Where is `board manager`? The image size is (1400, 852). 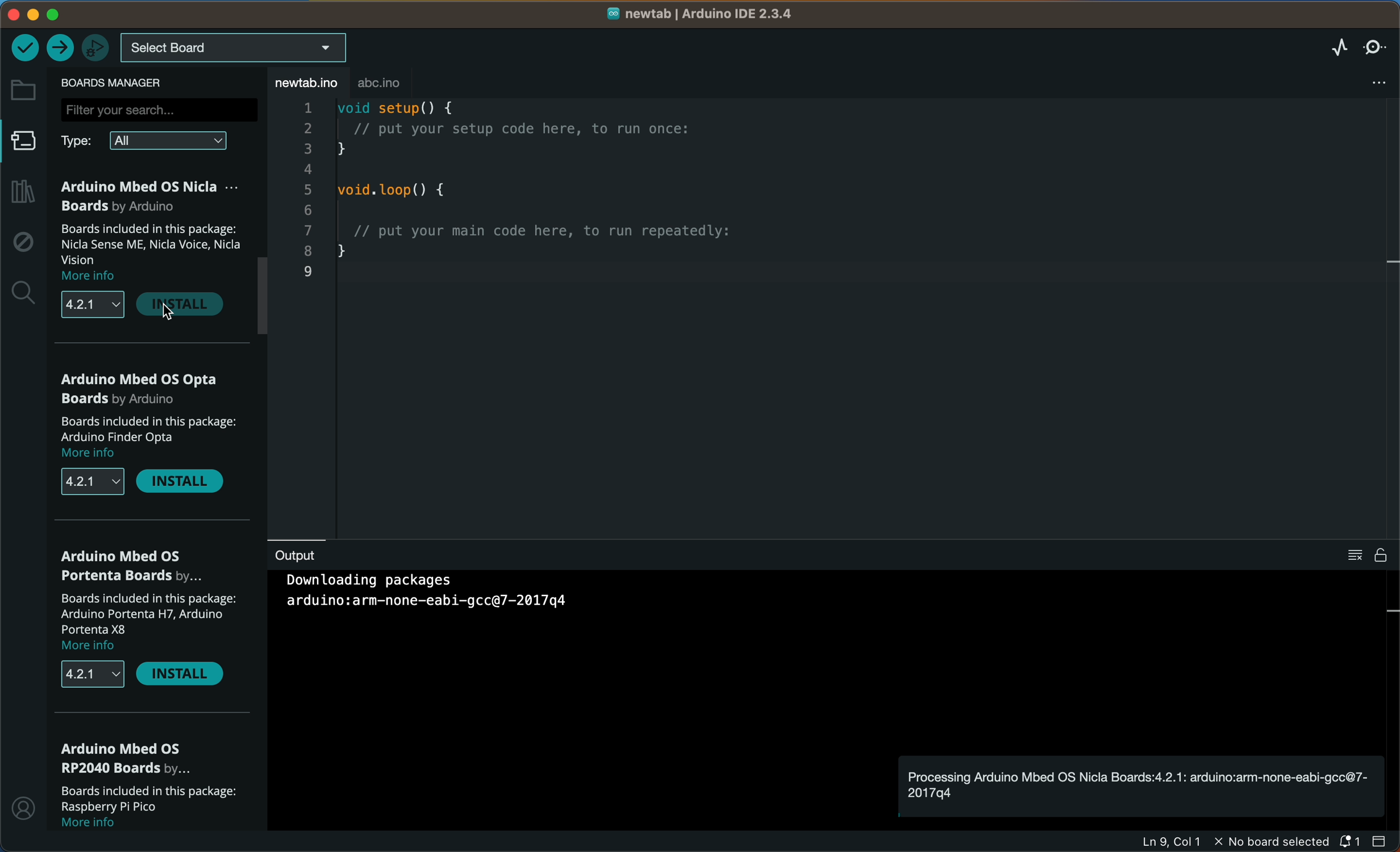
board manager is located at coordinates (124, 84).